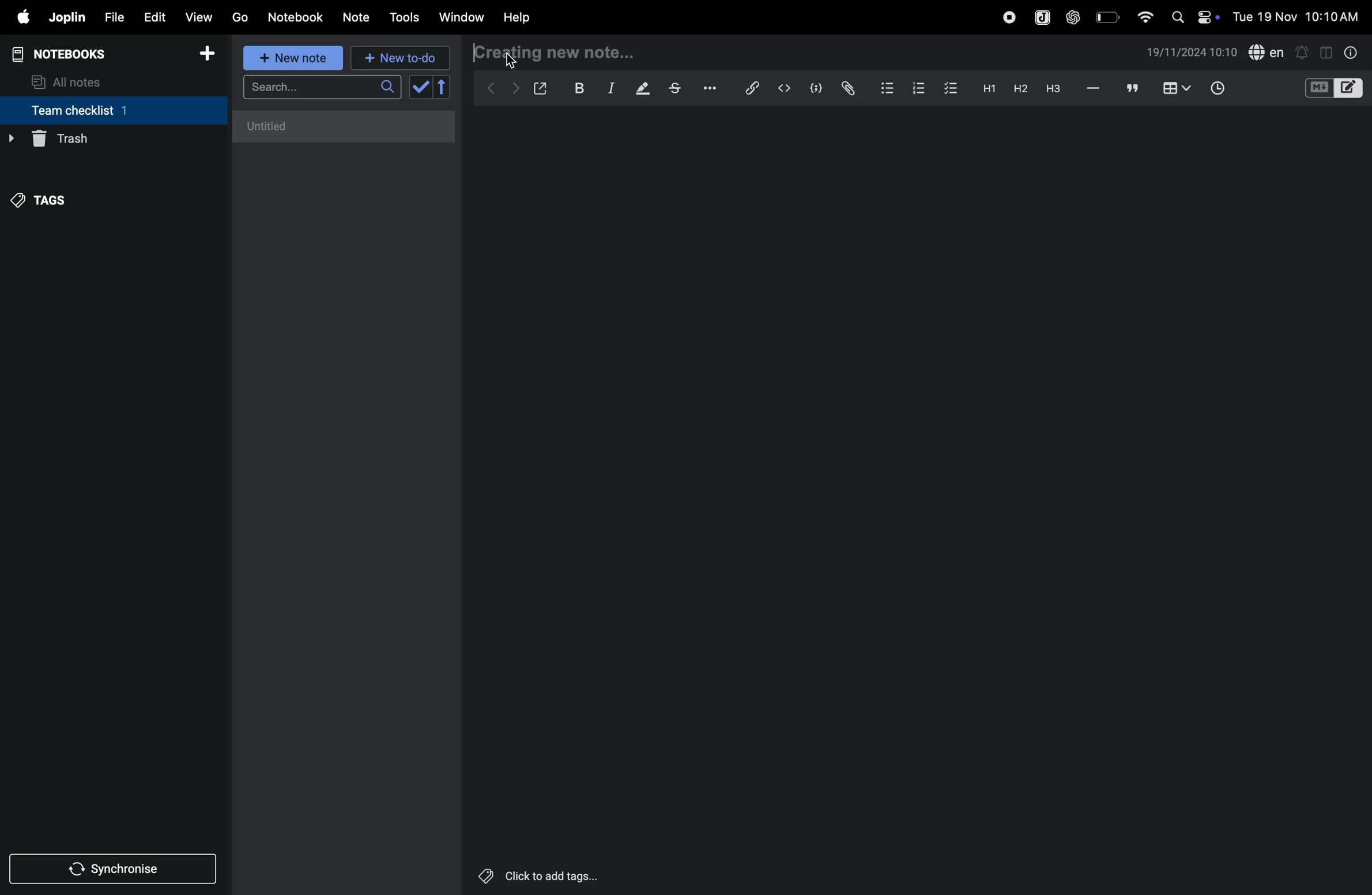  Describe the element at coordinates (1106, 17) in the screenshot. I see `battery` at that location.